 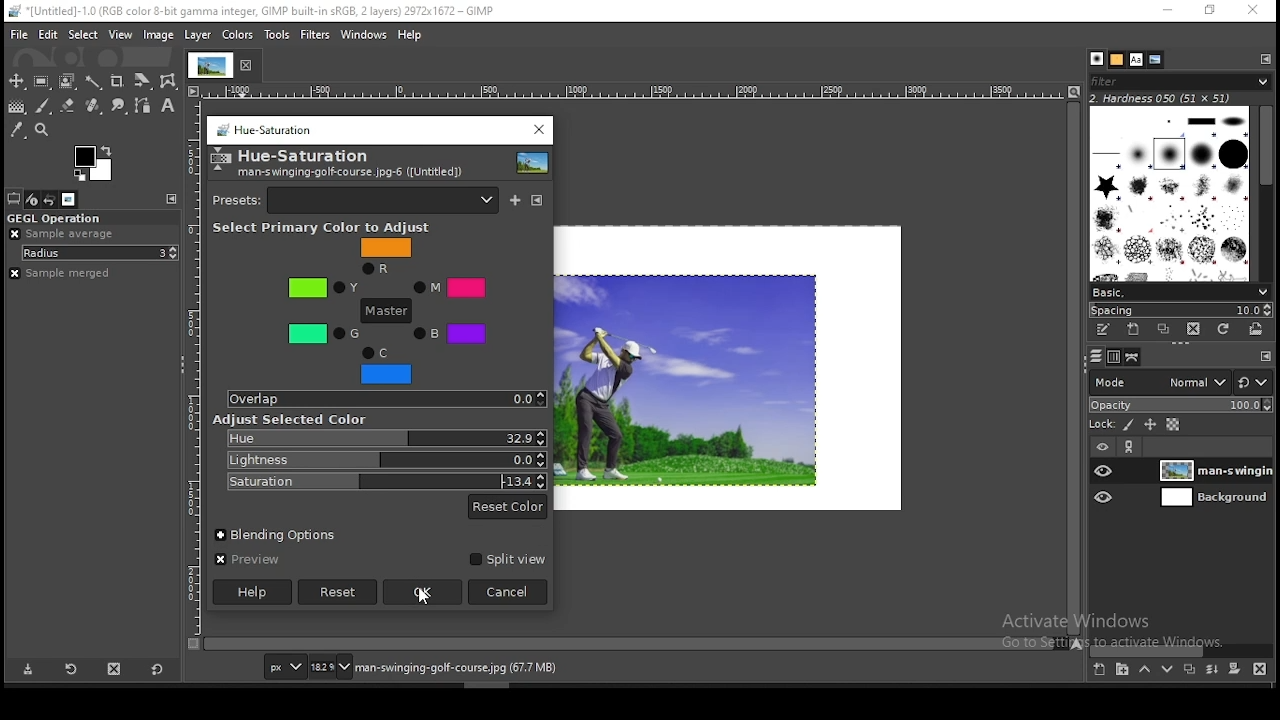 What do you see at coordinates (143, 82) in the screenshot?
I see `crop tool` at bounding box center [143, 82].